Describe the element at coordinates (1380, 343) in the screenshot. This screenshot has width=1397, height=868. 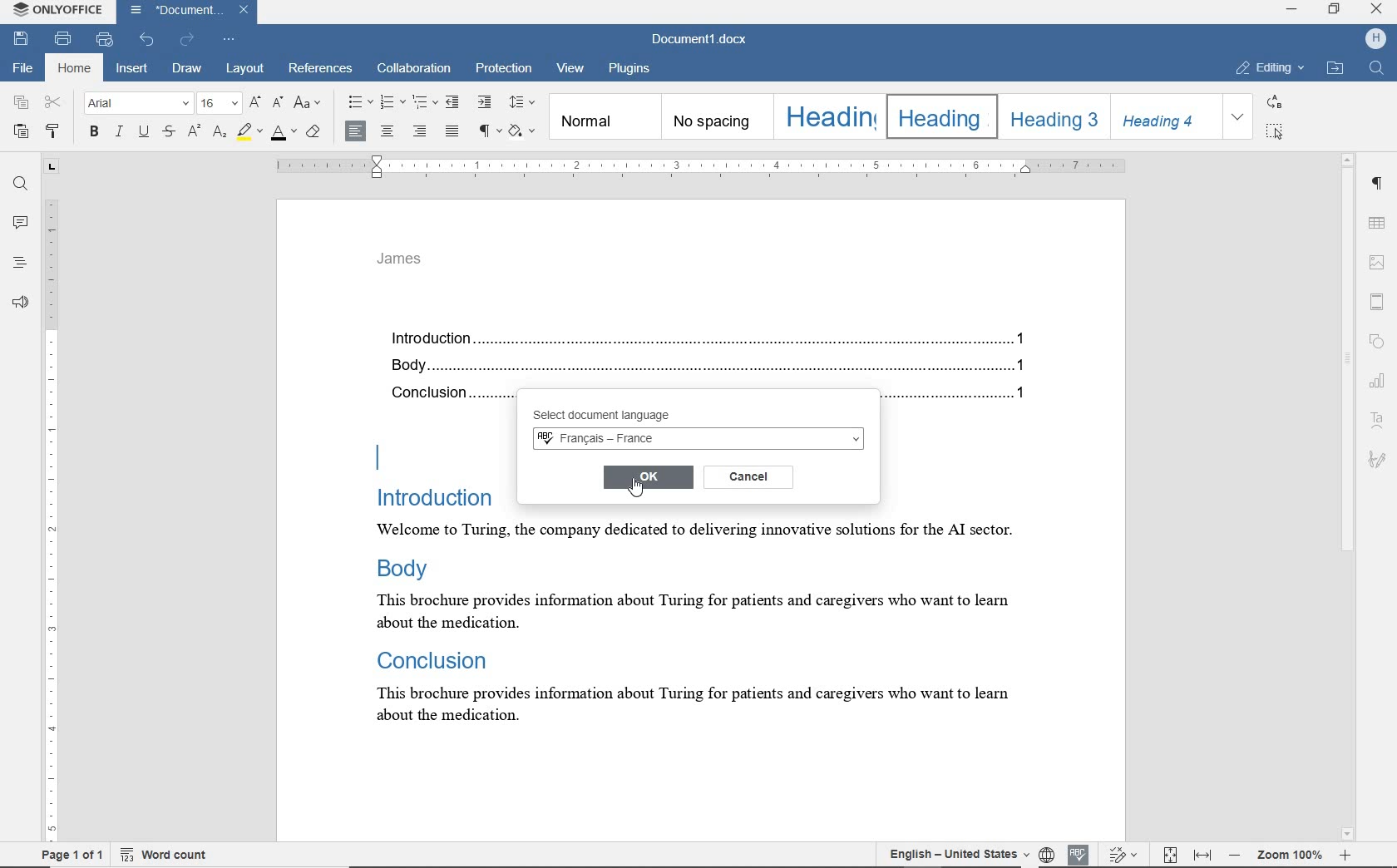
I see `shapes` at that location.